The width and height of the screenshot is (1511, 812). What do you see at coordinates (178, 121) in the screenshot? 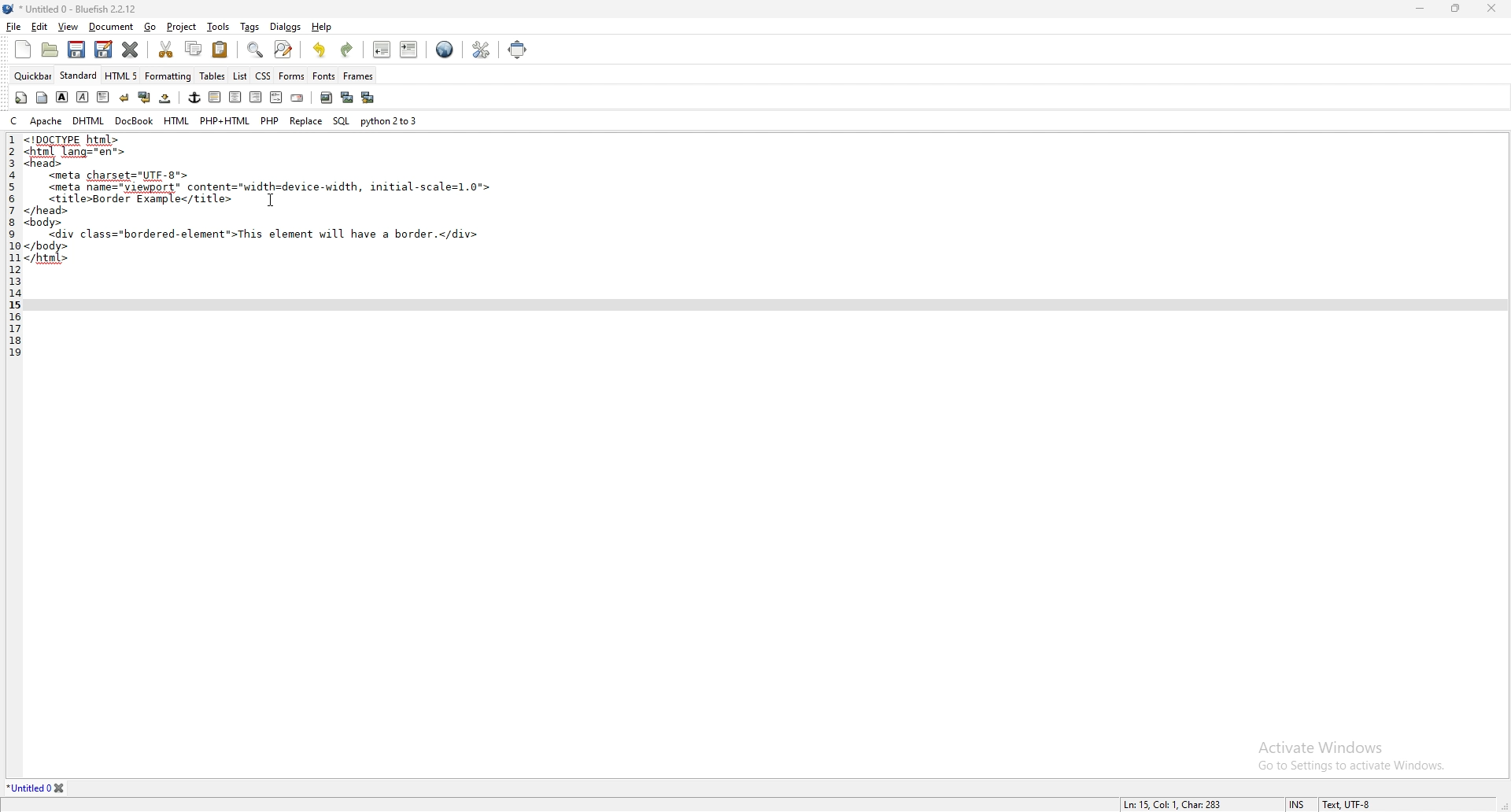
I see `html` at bounding box center [178, 121].